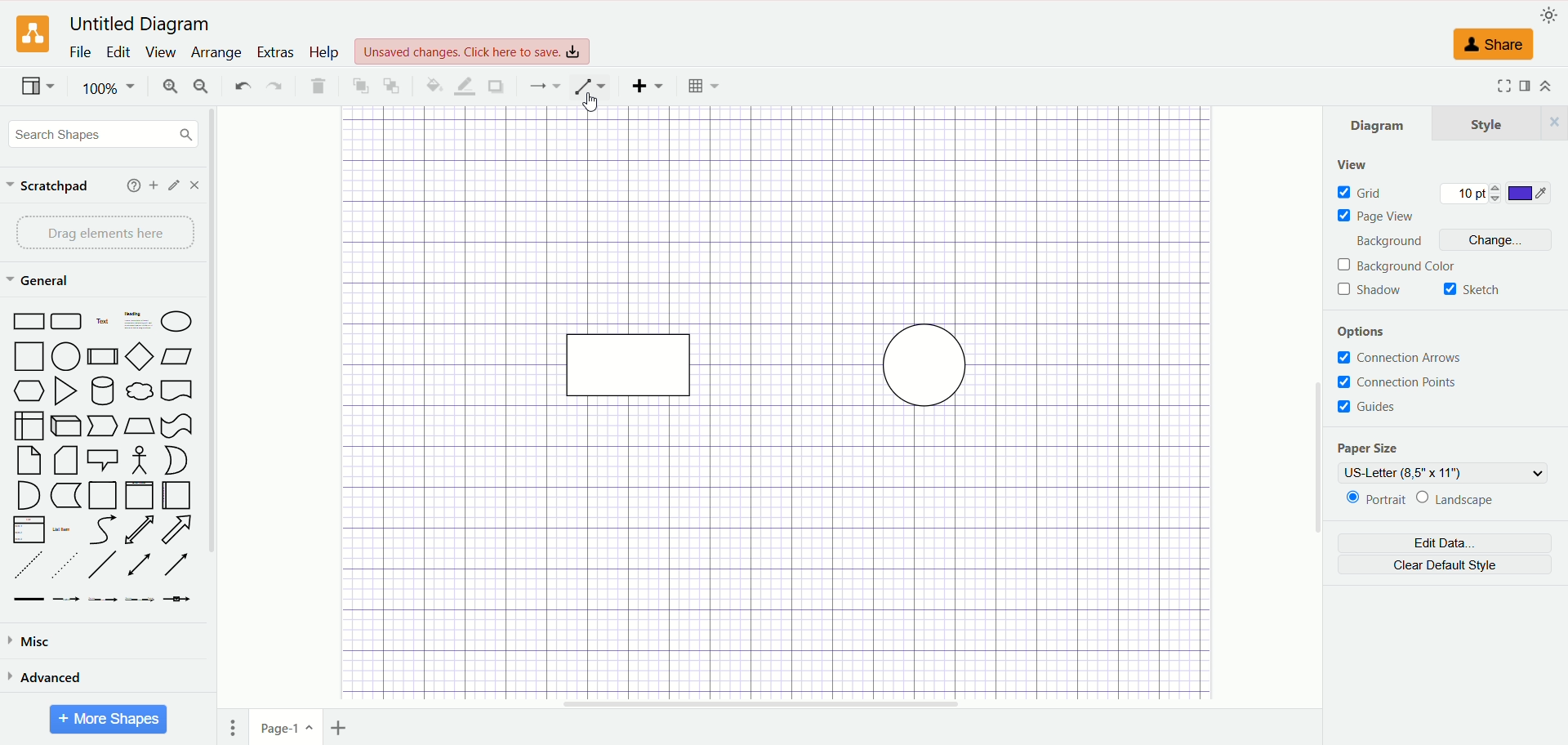 Image resolution: width=1568 pixels, height=745 pixels. What do you see at coordinates (67, 603) in the screenshot?
I see `Connector with Label` at bounding box center [67, 603].